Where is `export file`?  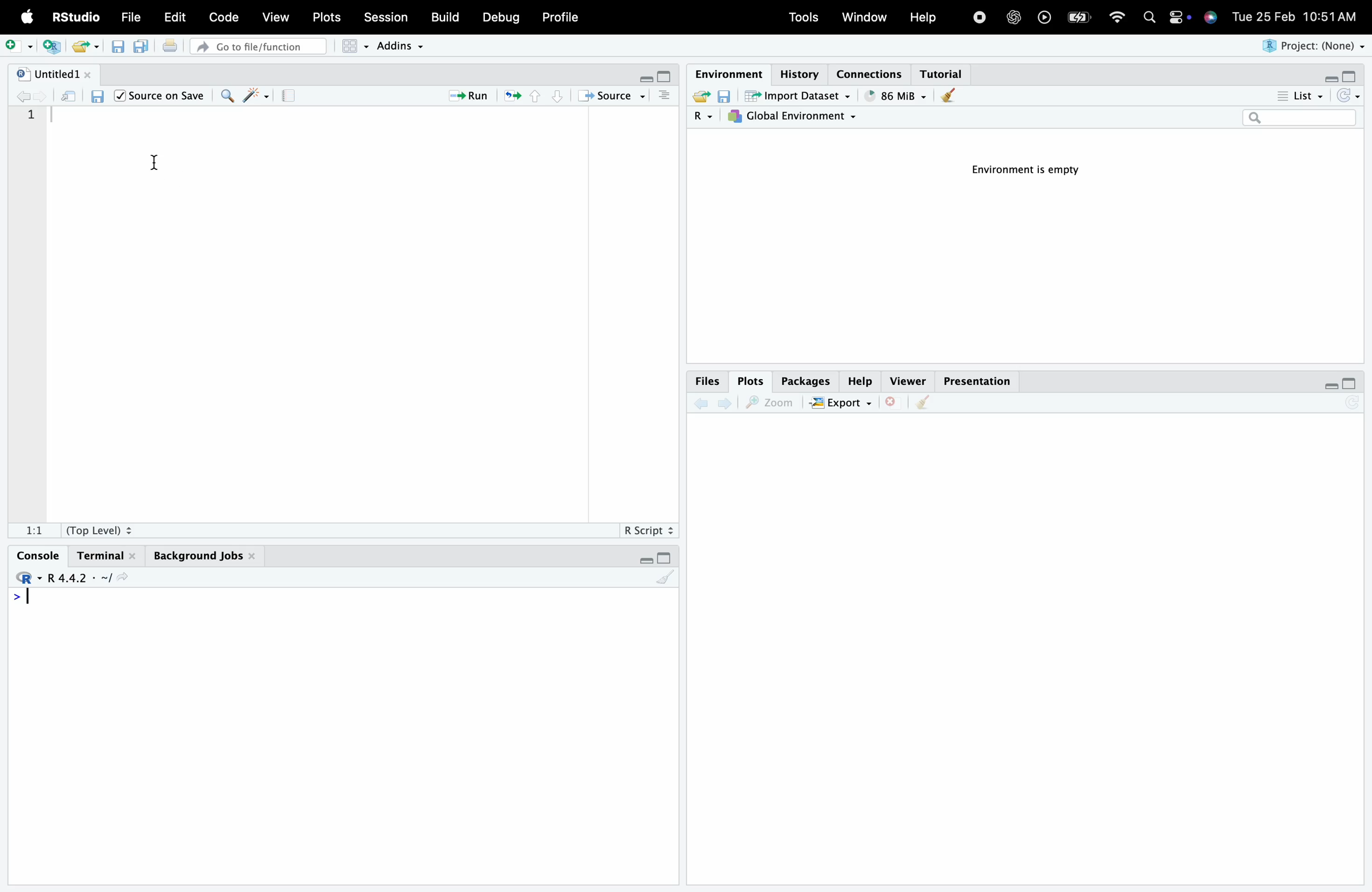
export file is located at coordinates (696, 97).